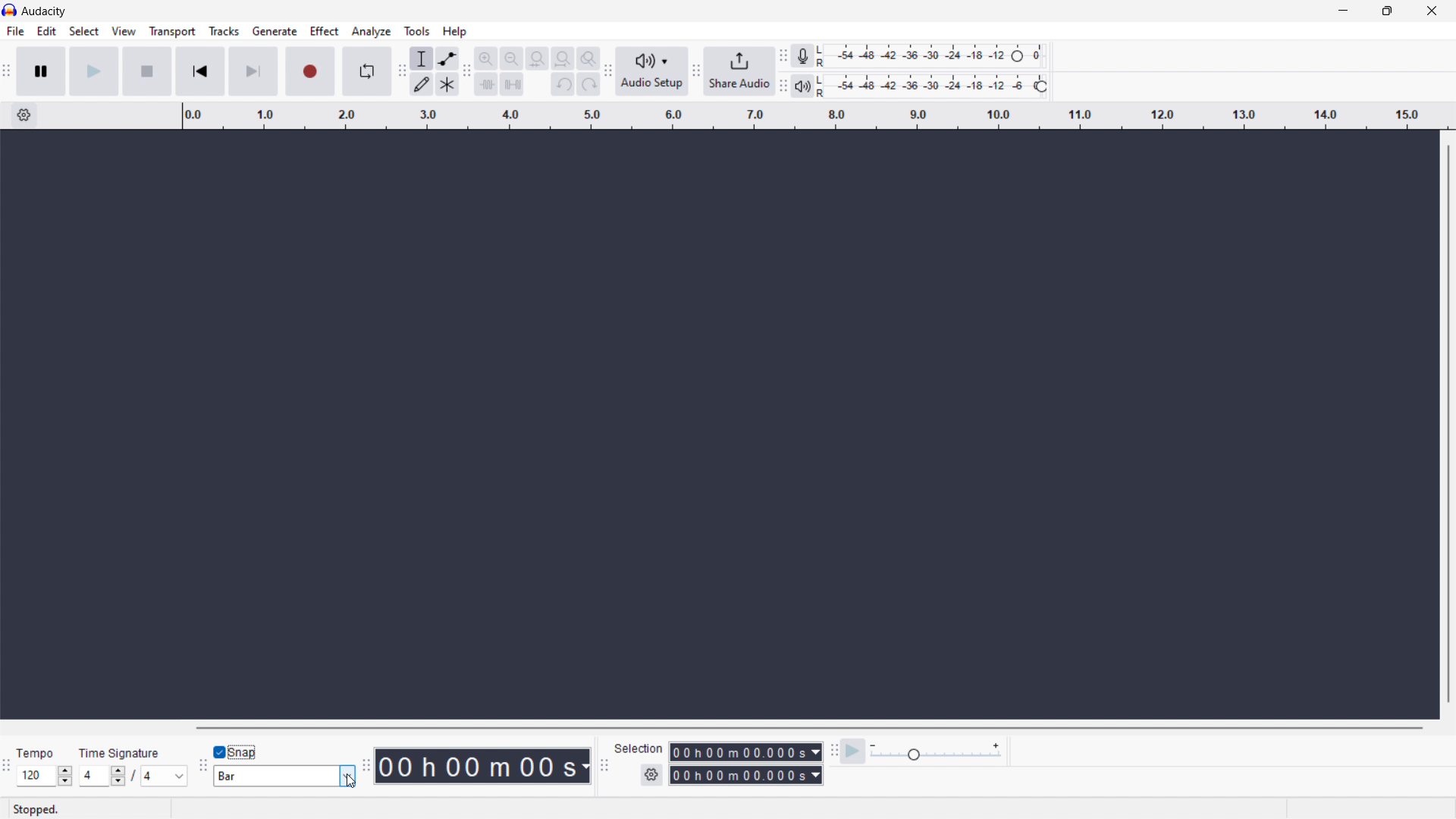 Image resolution: width=1456 pixels, height=819 pixels. What do you see at coordinates (804, 726) in the screenshot?
I see `horizontal scrollbar` at bounding box center [804, 726].